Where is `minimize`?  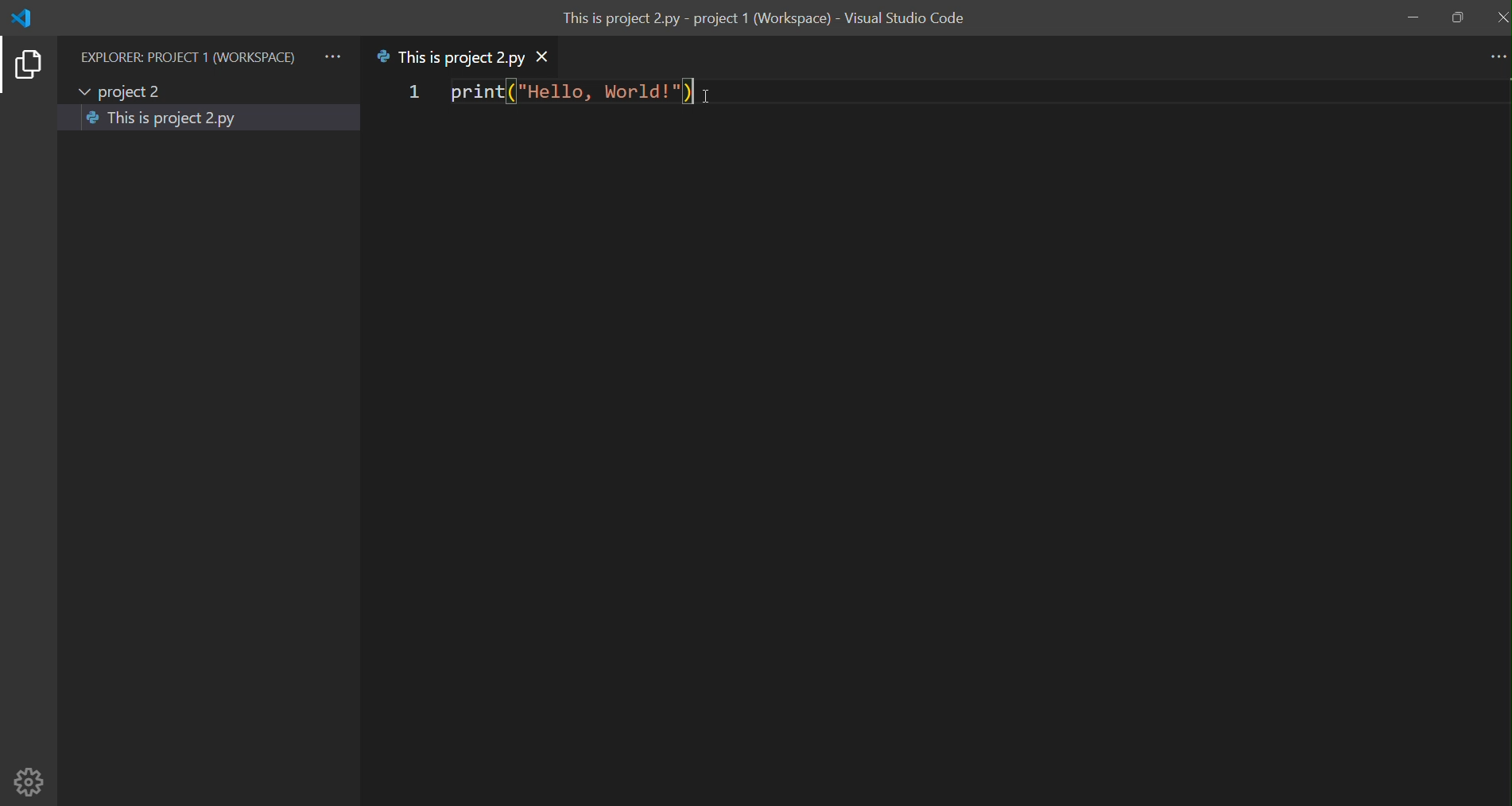 minimize is located at coordinates (1413, 19).